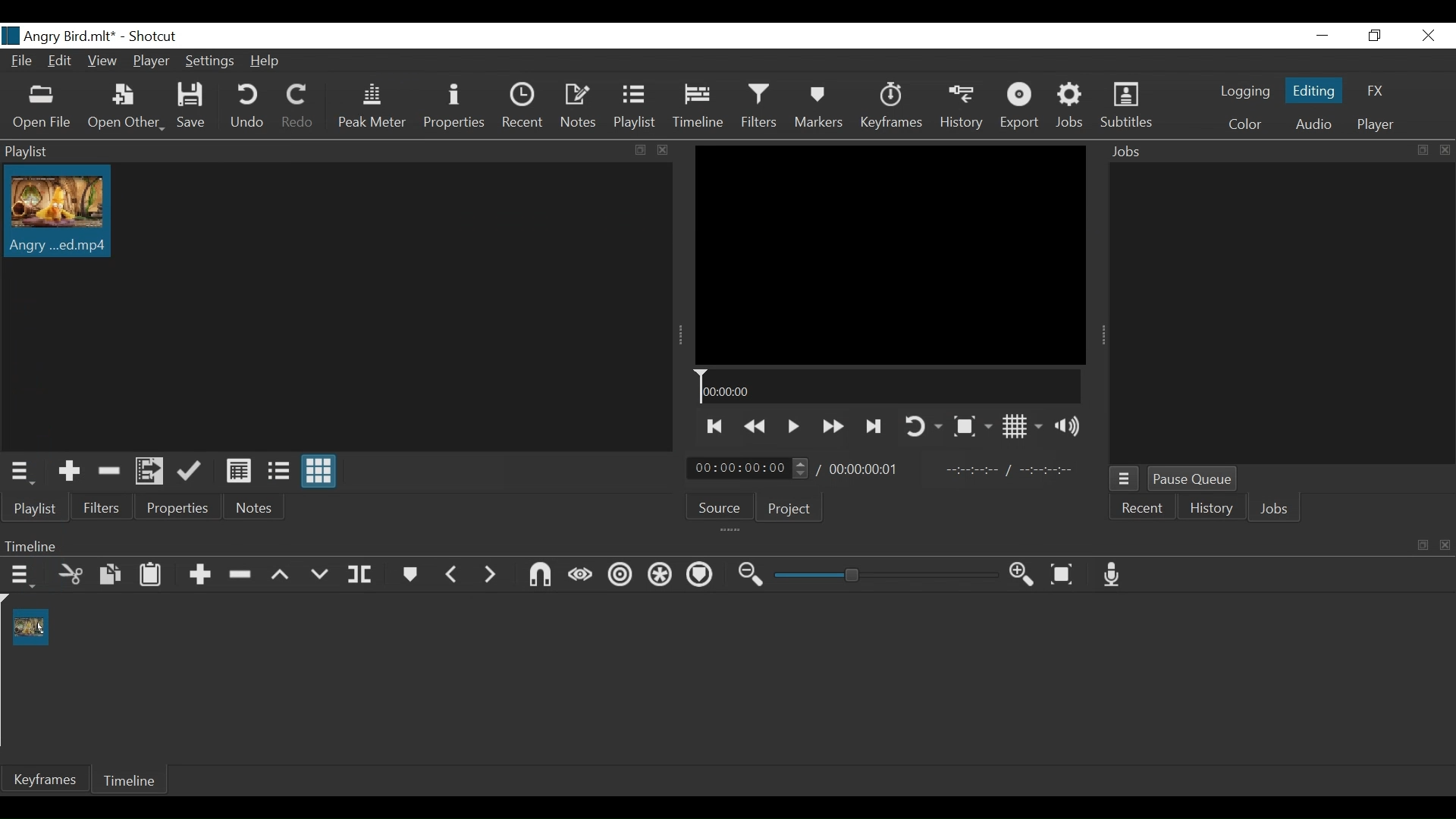 This screenshot has width=1456, height=819. I want to click on Update, so click(190, 471).